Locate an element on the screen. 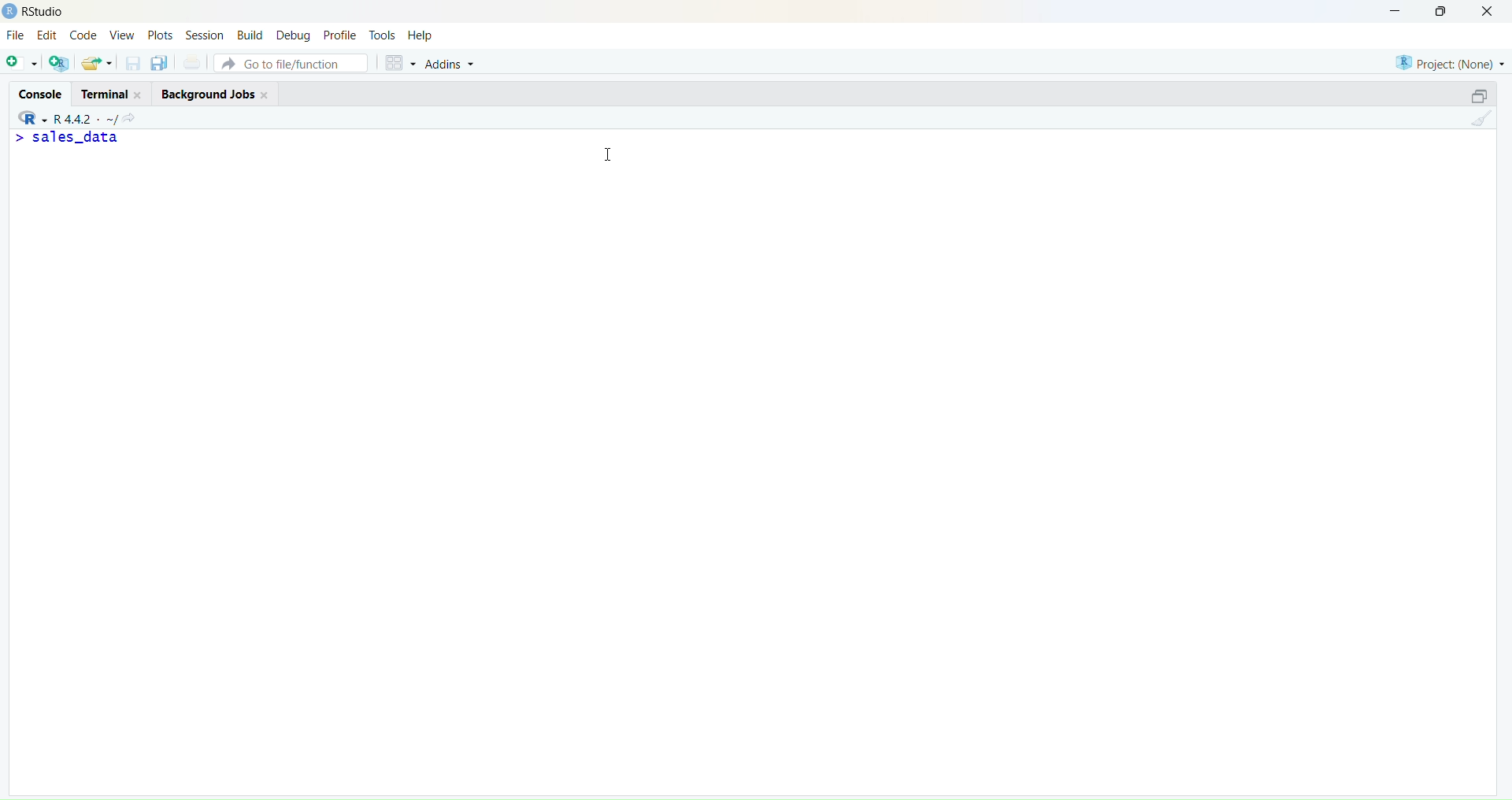 This screenshot has width=1512, height=800. Build is located at coordinates (249, 35).